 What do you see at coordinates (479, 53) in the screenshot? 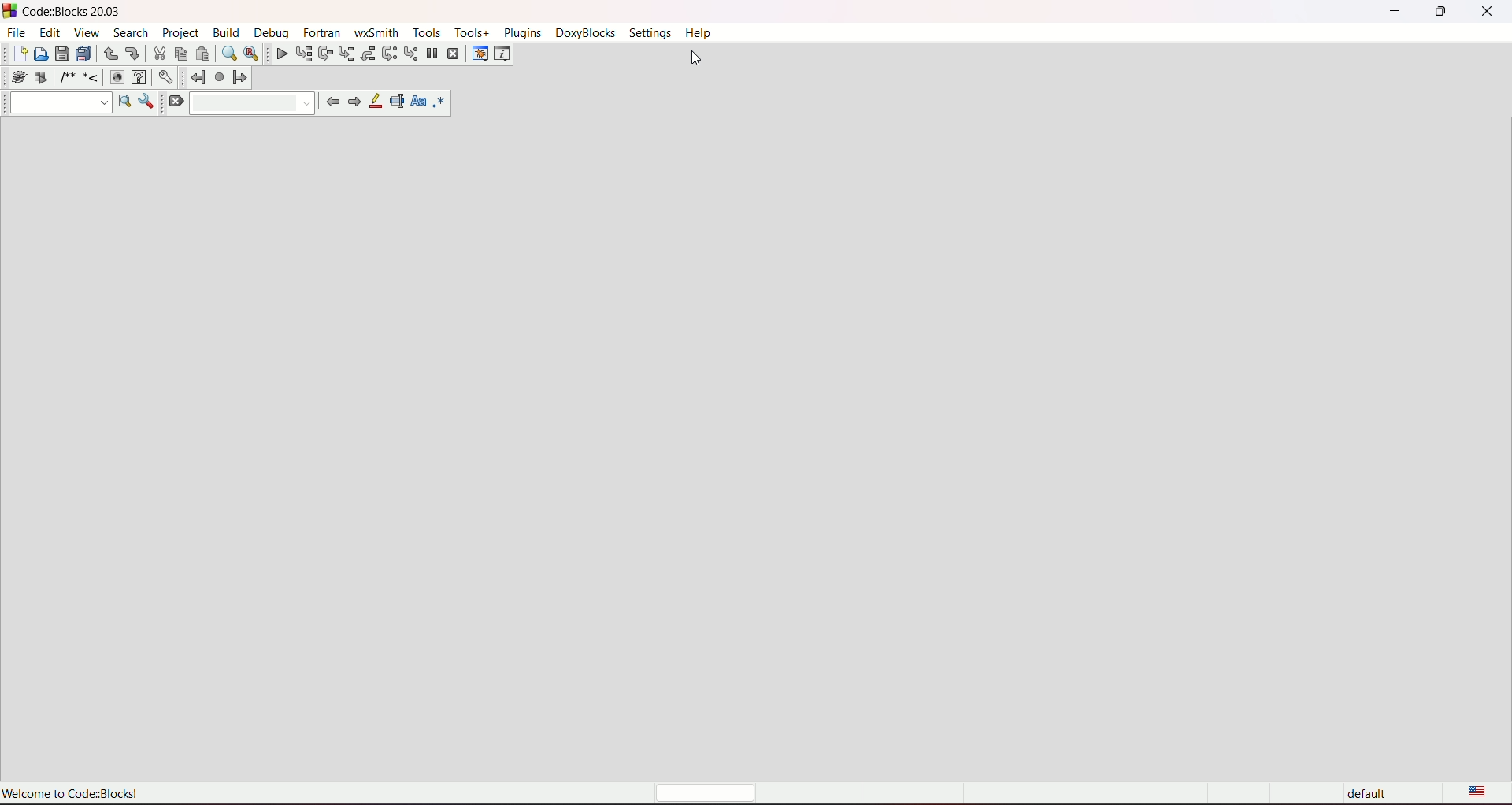
I see `debugging window` at bounding box center [479, 53].